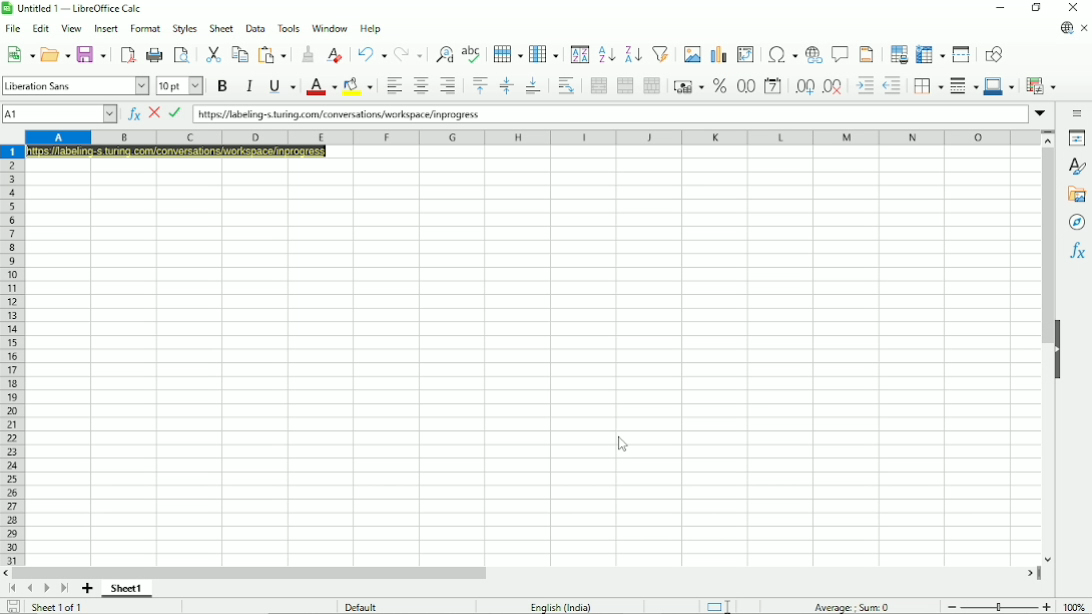  Describe the element at coordinates (745, 53) in the screenshot. I see `Insert or edit pivot table` at that location.